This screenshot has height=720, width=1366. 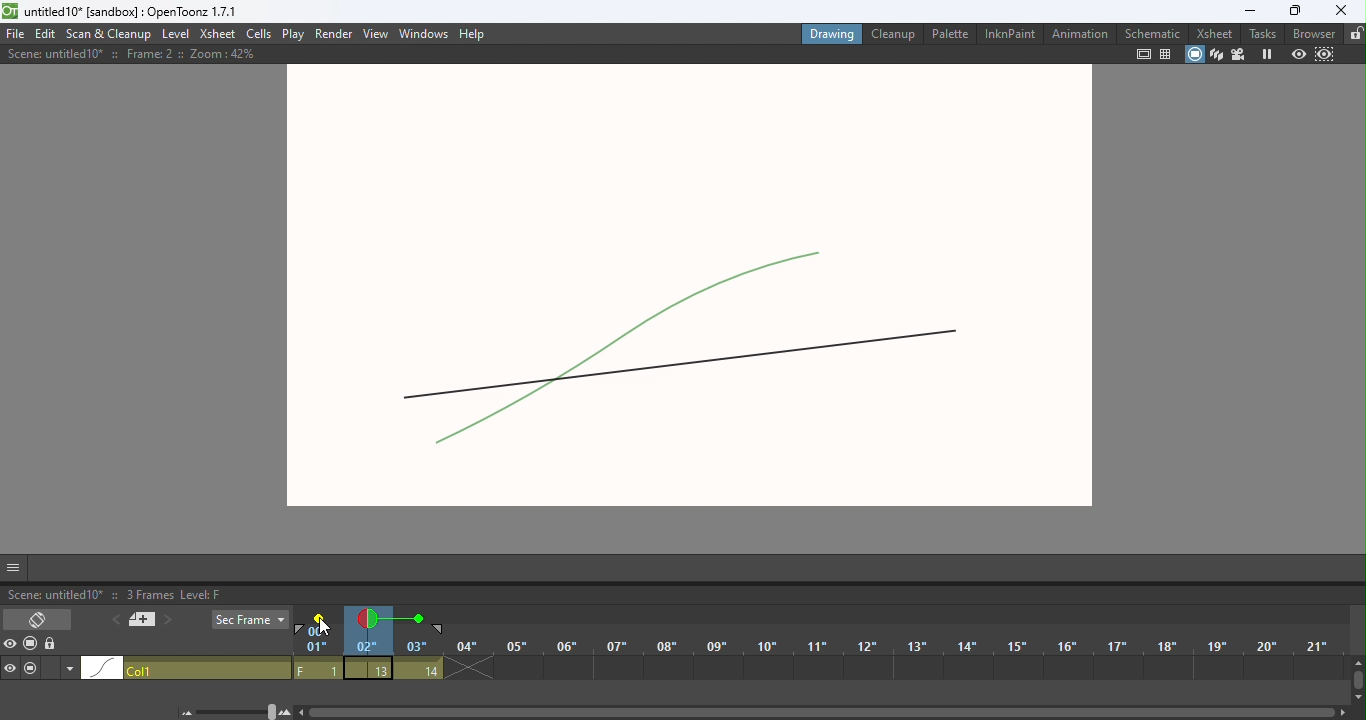 I want to click on Cells, so click(x=258, y=35).